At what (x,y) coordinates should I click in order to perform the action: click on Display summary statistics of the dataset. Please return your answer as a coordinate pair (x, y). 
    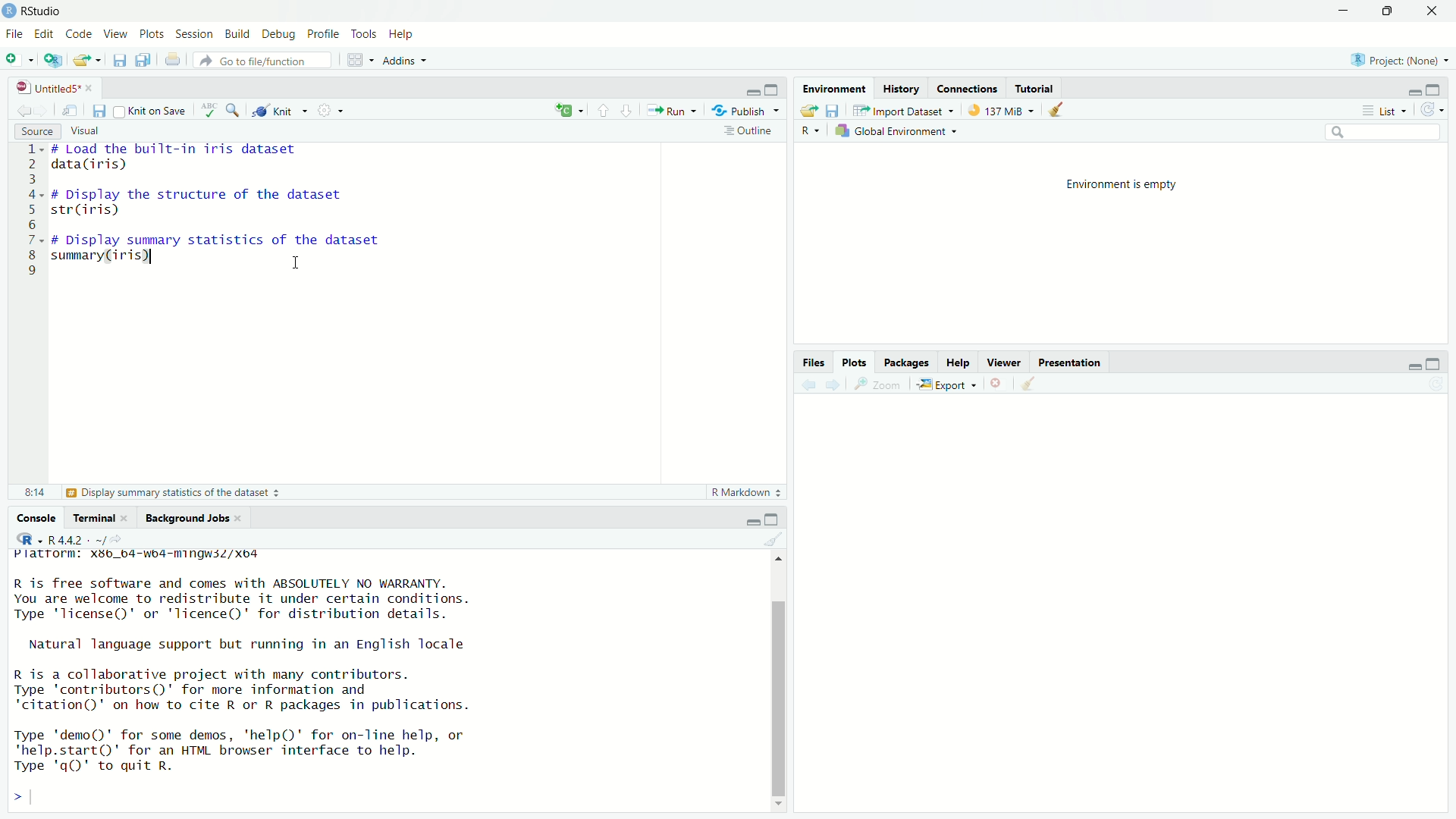
    Looking at the image, I should click on (172, 492).